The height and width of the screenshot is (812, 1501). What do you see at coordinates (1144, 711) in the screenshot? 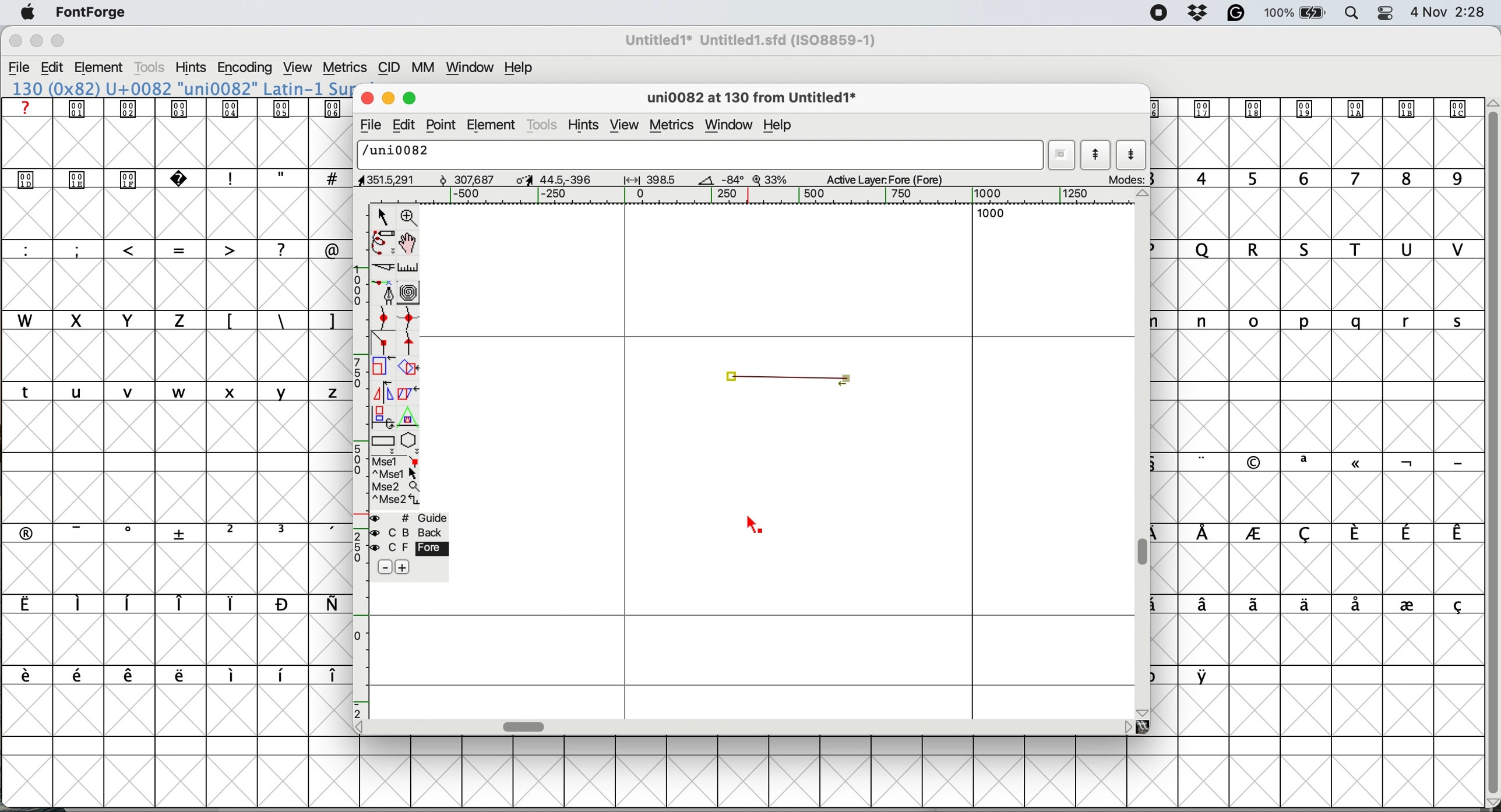
I see `scroll button` at bounding box center [1144, 711].